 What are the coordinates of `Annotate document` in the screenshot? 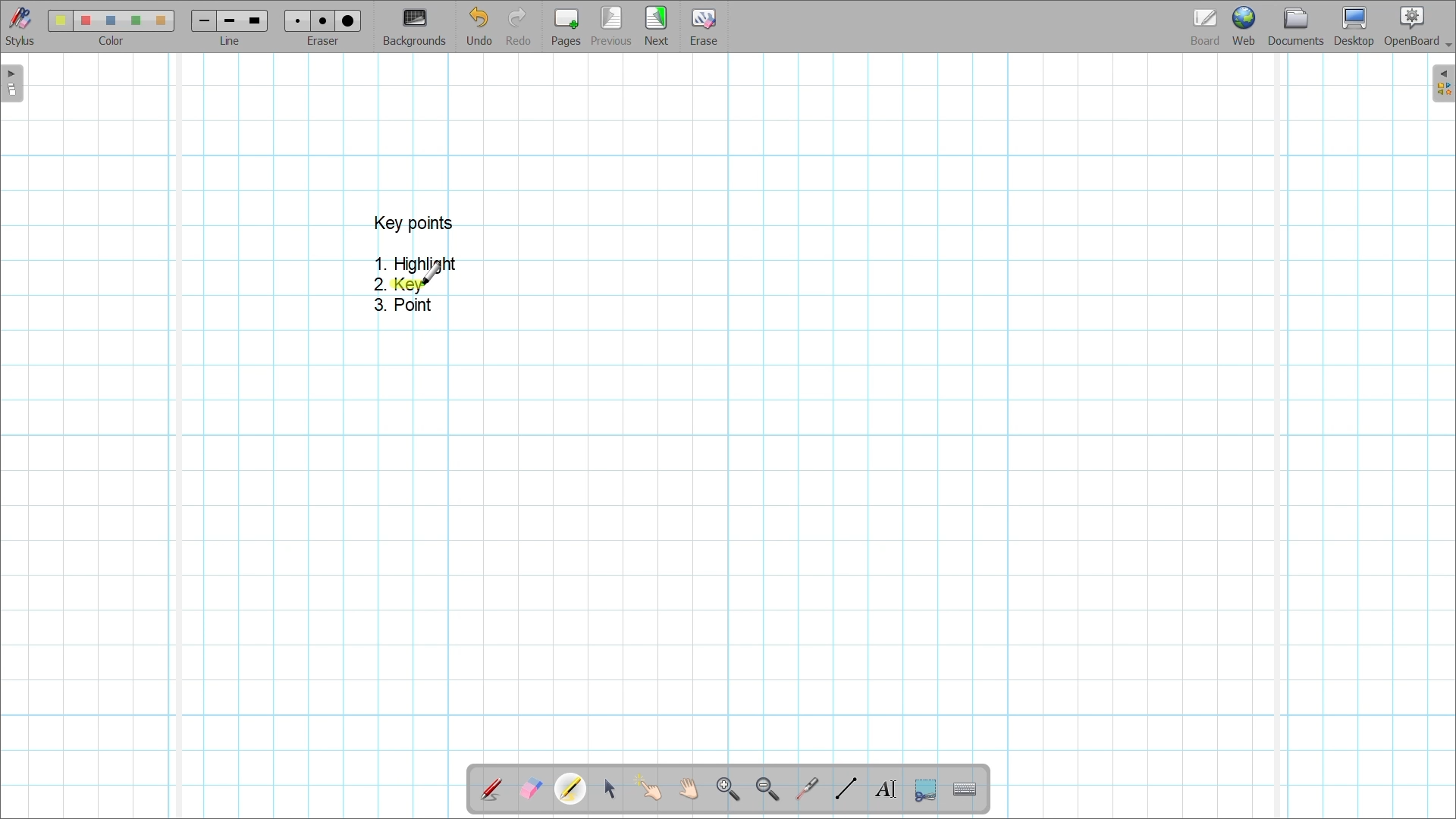 It's located at (491, 790).